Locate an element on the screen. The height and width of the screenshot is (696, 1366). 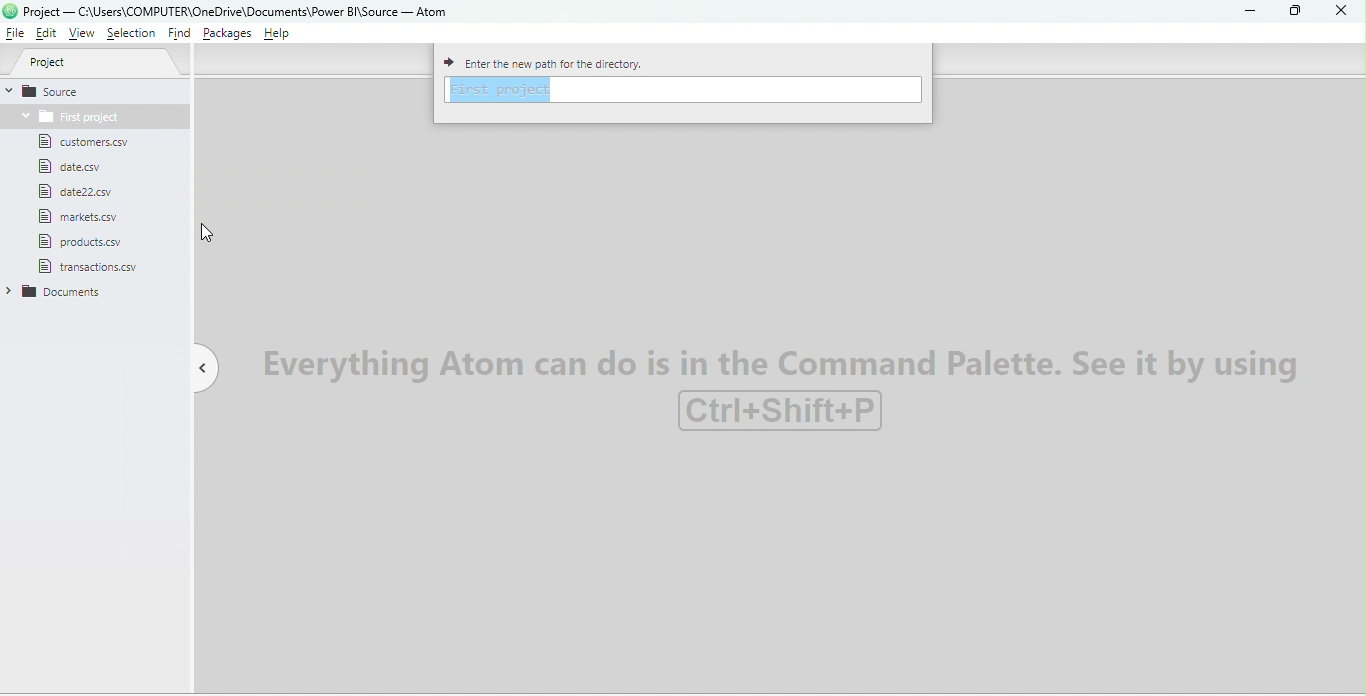
Enter the new path for the directory is located at coordinates (572, 61).